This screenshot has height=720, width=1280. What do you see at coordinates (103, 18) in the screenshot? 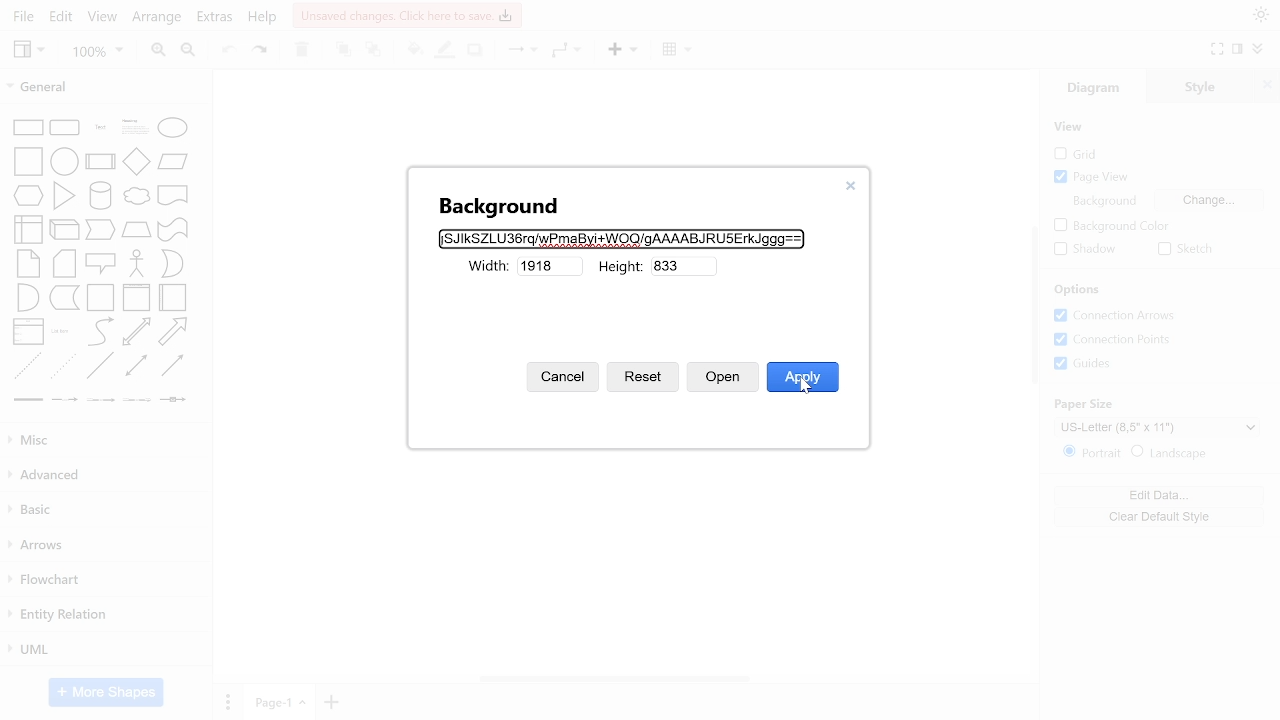
I see `view` at bounding box center [103, 18].